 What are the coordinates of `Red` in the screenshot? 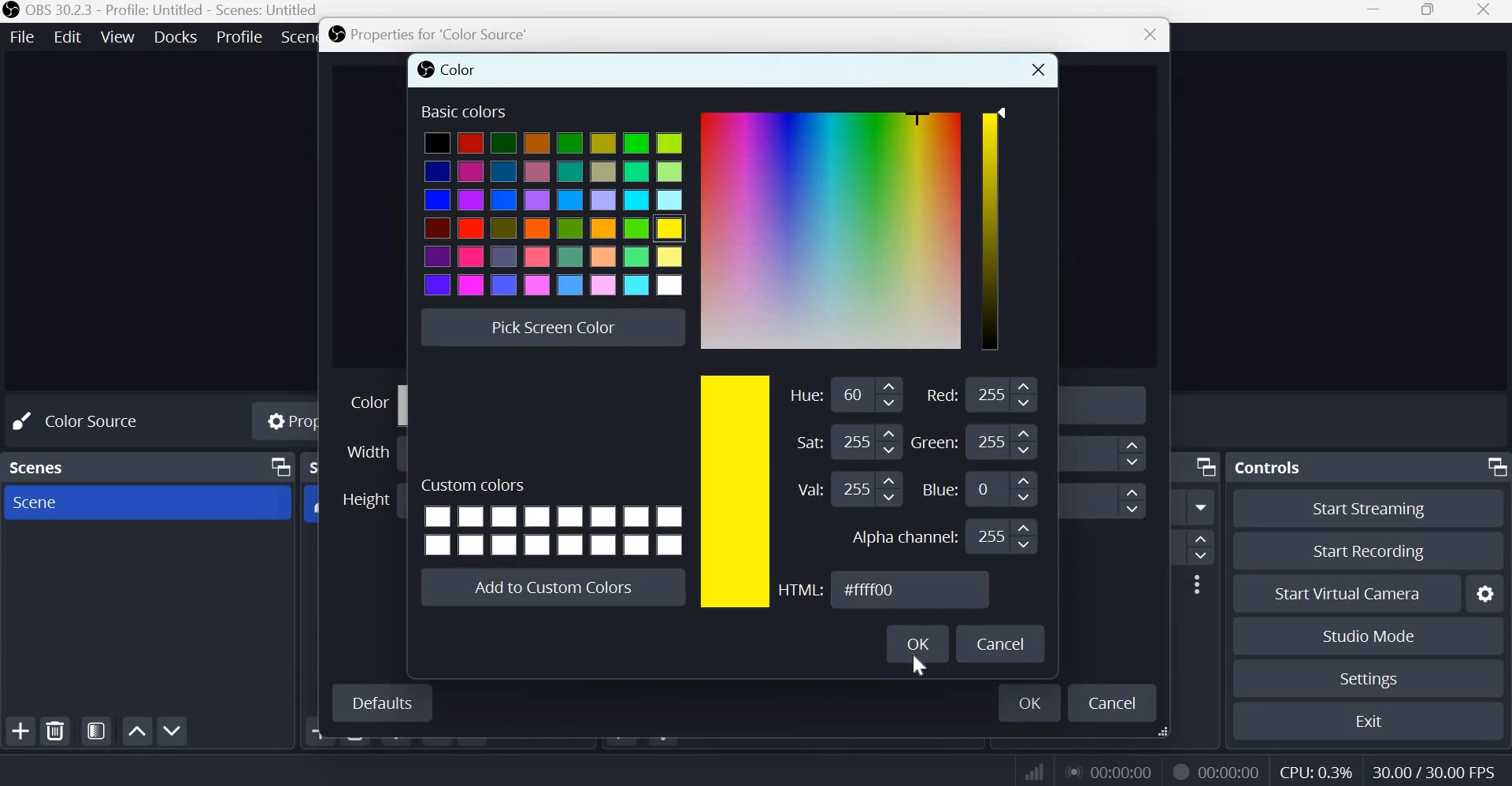 It's located at (942, 393).